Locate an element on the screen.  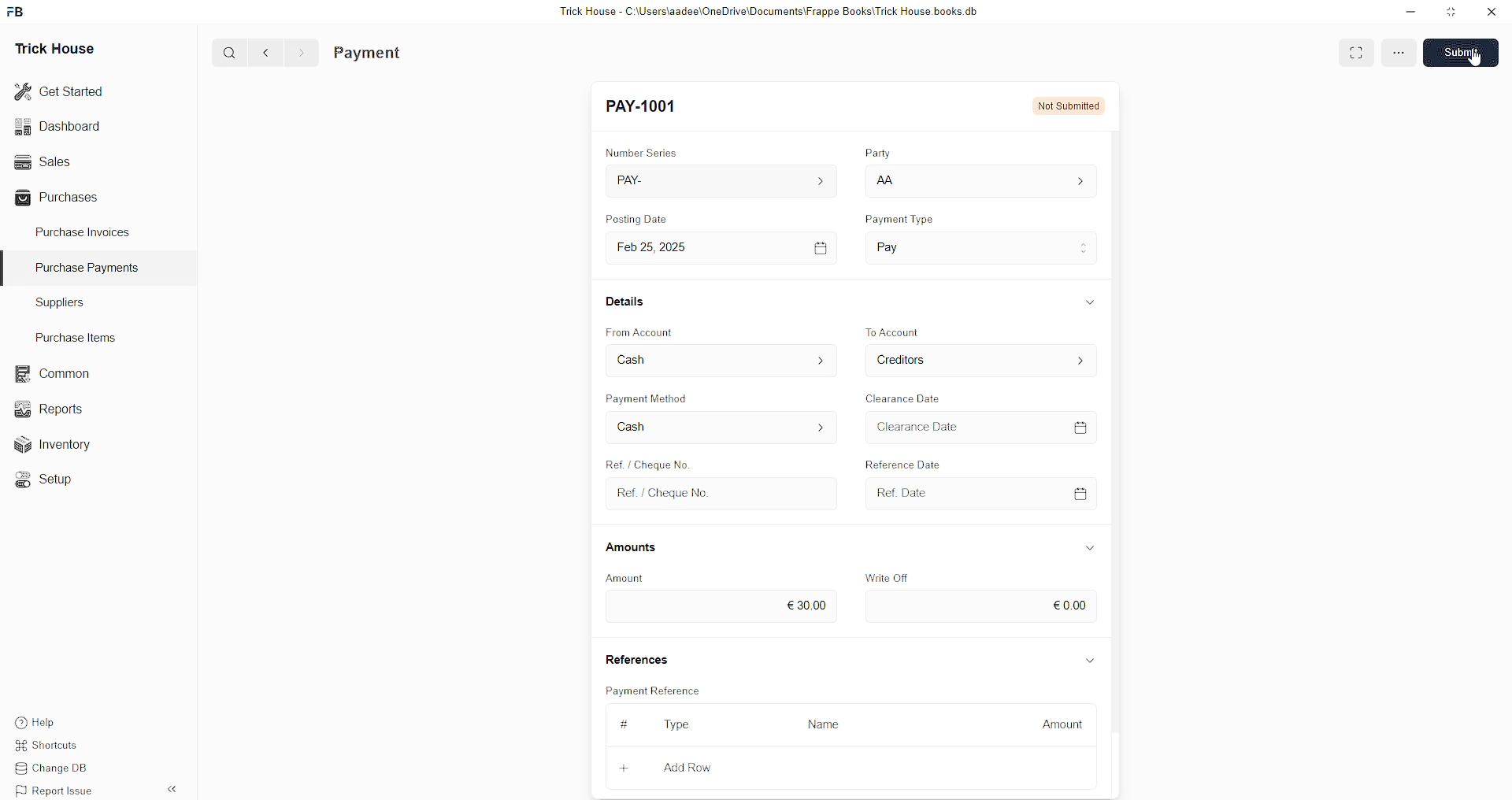
EXPAND is located at coordinates (1355, 52).